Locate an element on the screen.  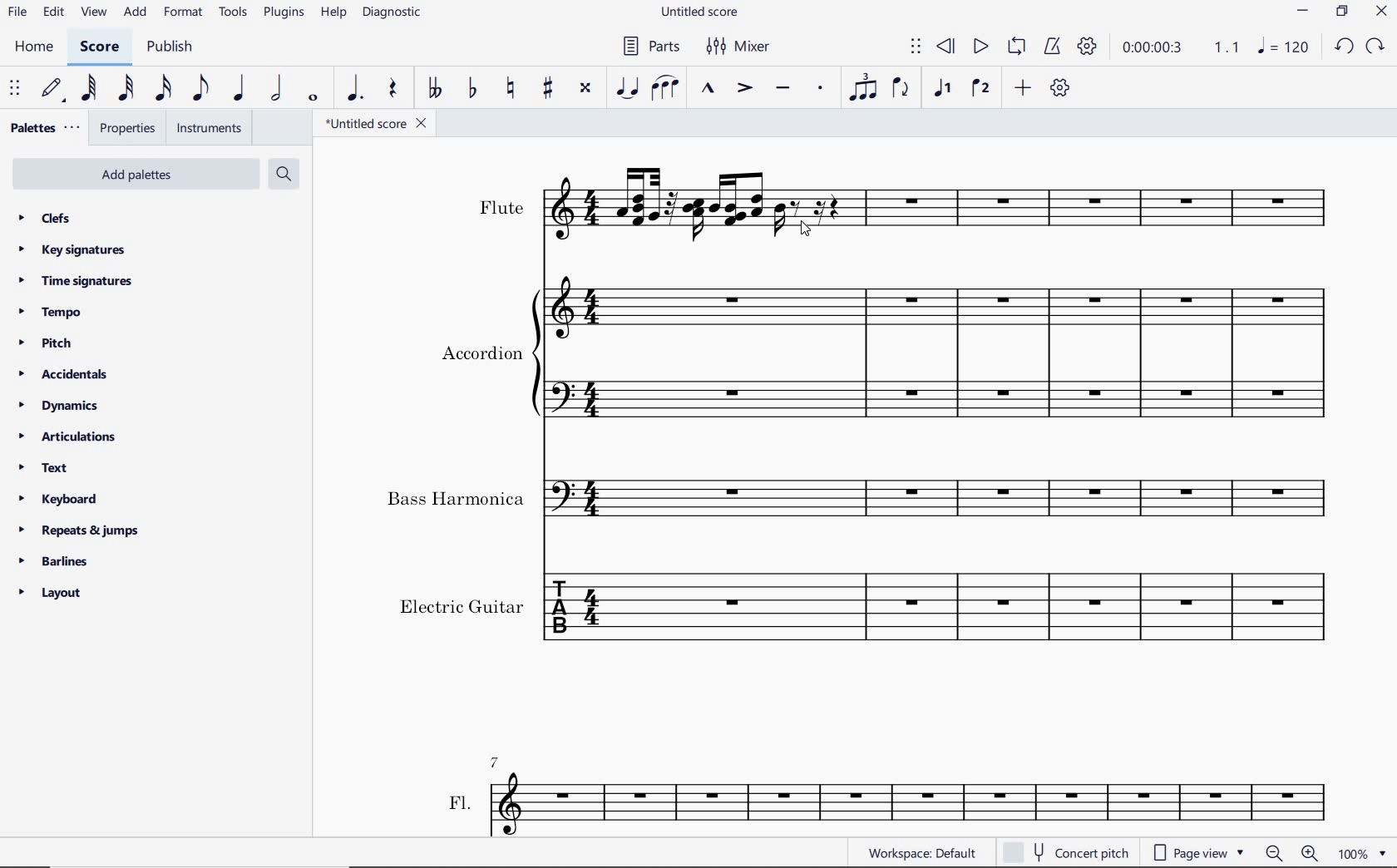
PARTS is located at coordinates (649, 49).